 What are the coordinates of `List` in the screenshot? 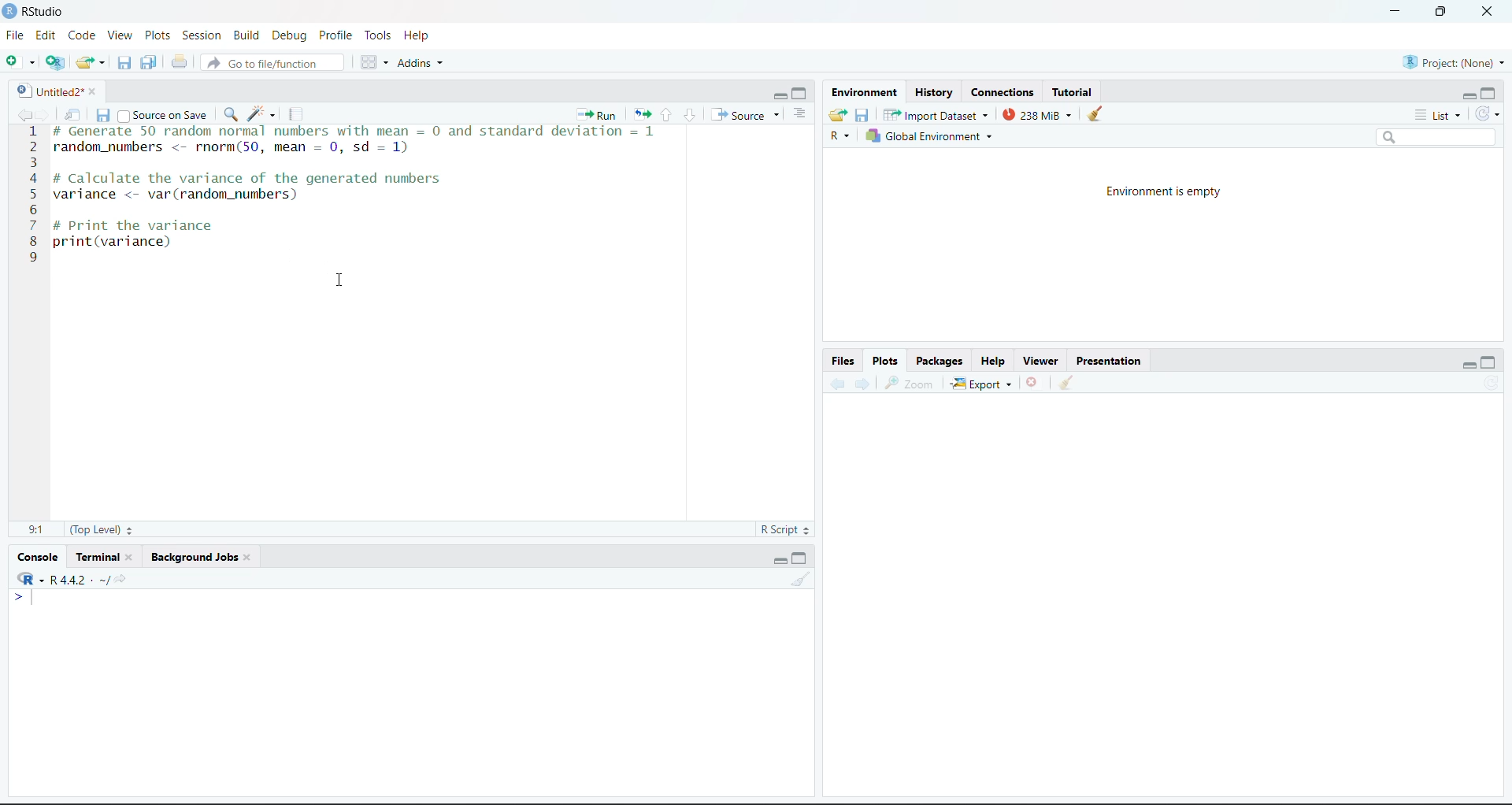 It's located at (1439, 116).